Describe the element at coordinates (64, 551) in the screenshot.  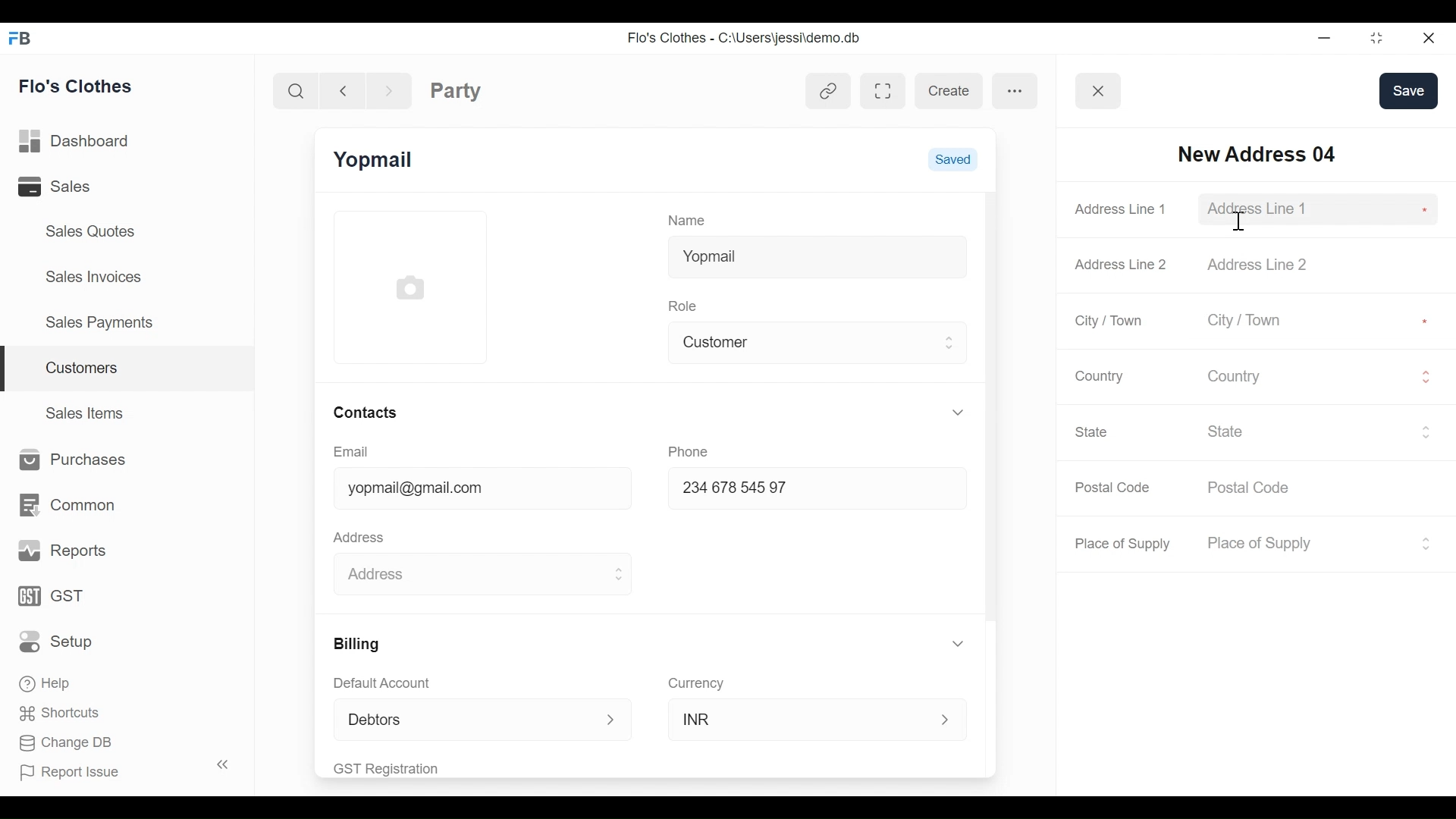
I see `Reports` at that location.